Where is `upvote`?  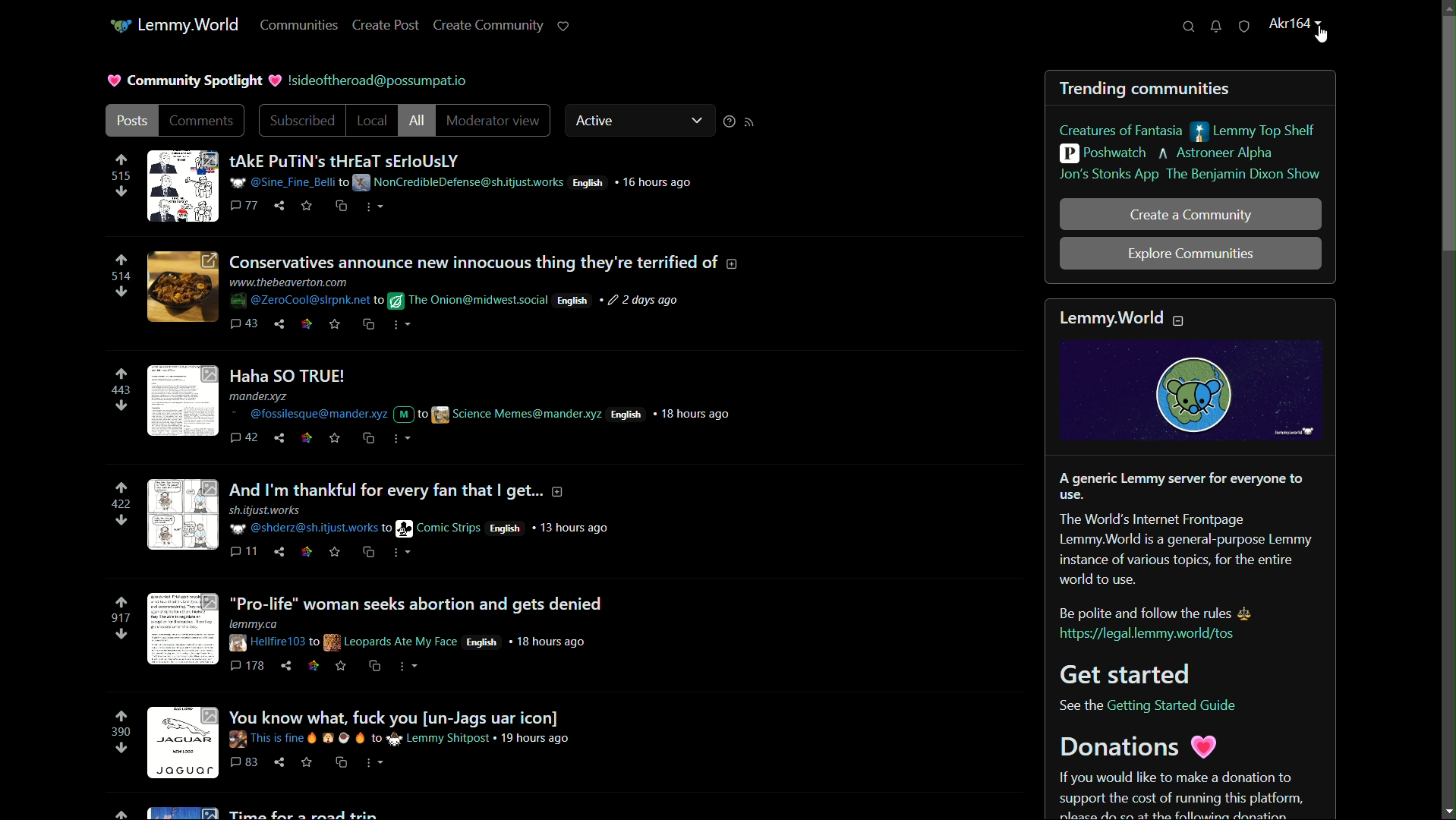
upvote is located at coordinates (123, 605).